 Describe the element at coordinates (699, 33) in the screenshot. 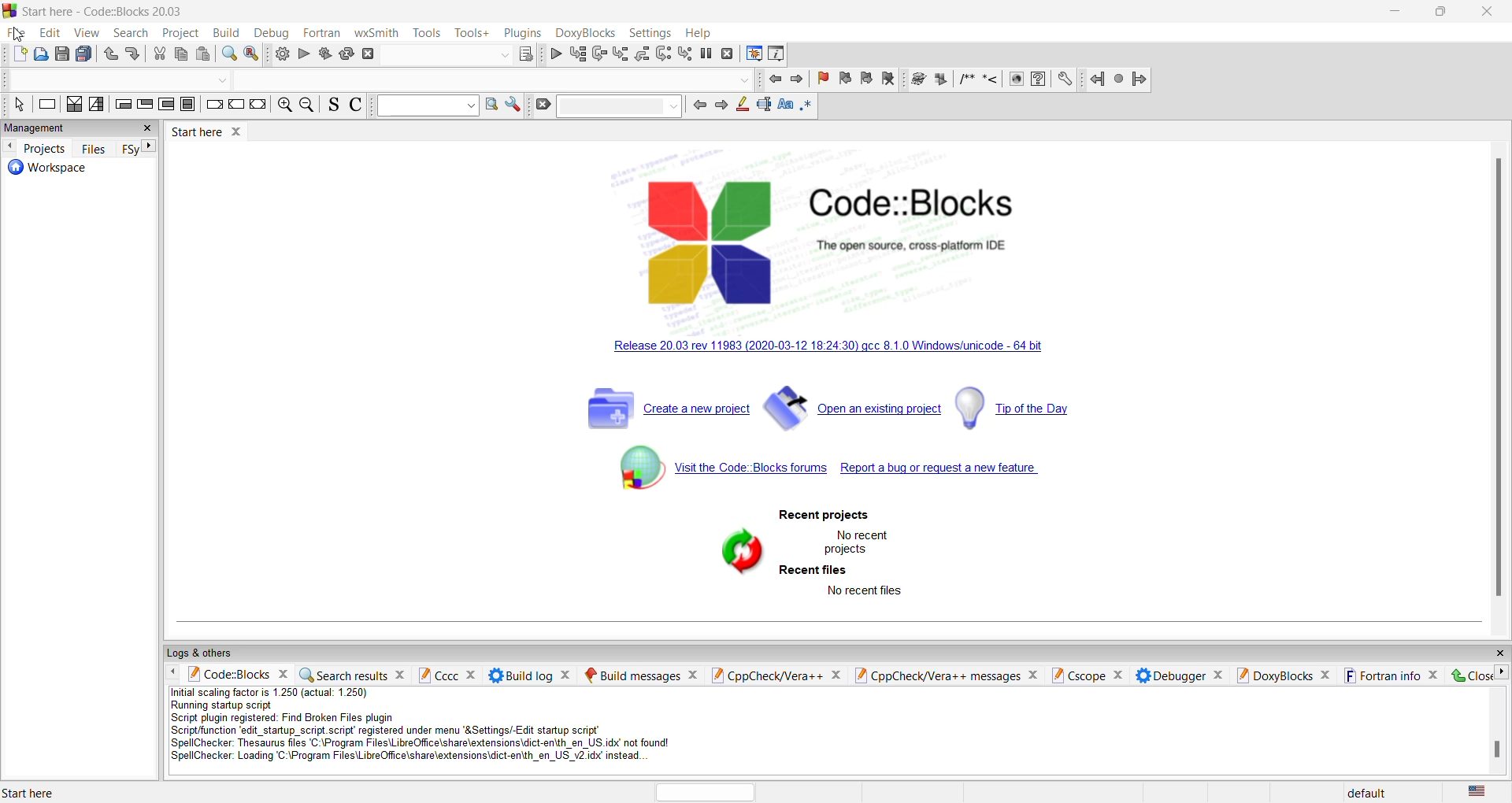

I see `help` at that location.